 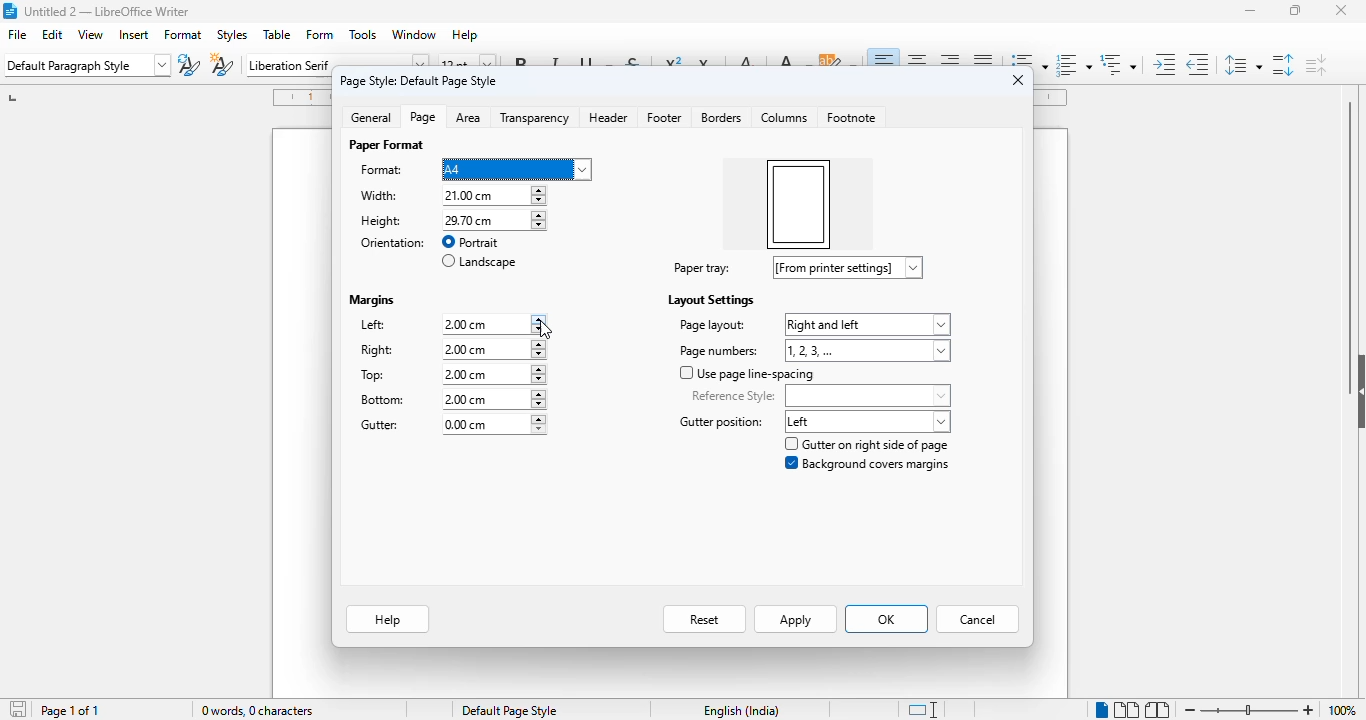 What do you see at coordinates (1165, 65) in the screenshot?
I see `increase indent` at bounding box center [1165, 65].